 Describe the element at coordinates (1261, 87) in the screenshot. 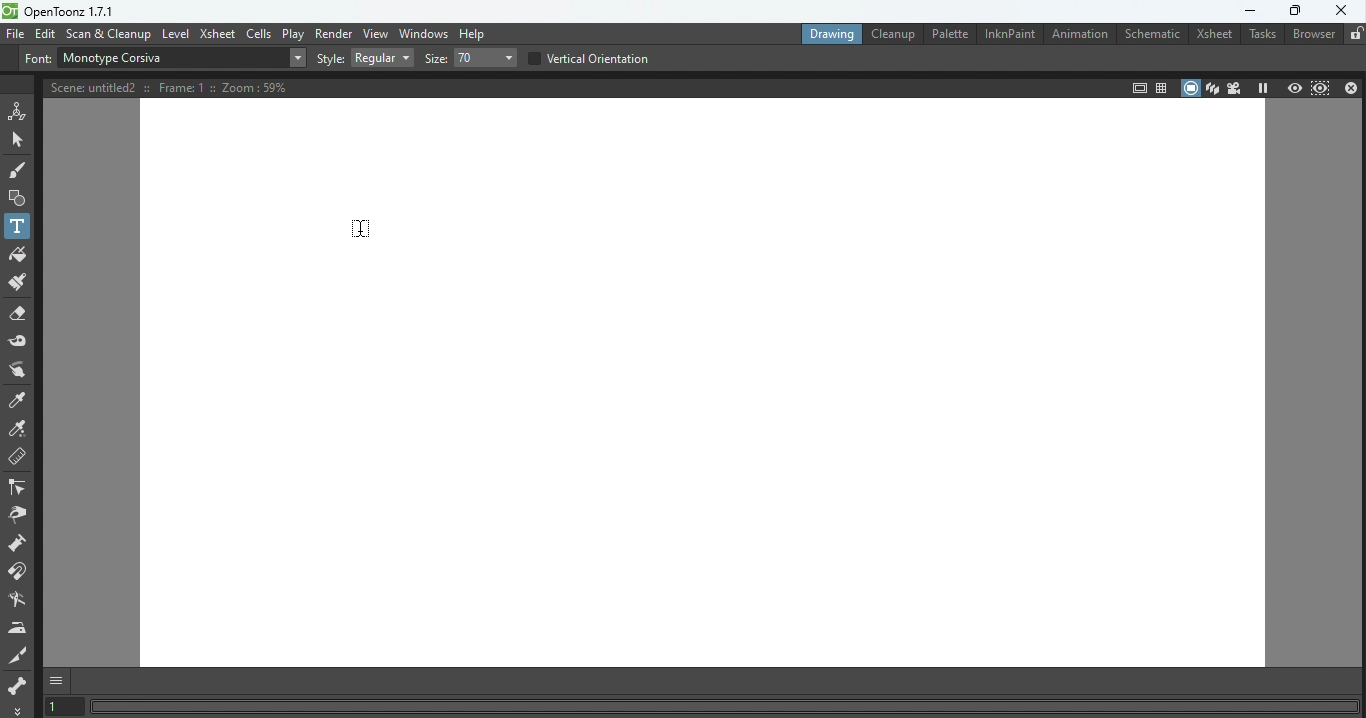

I see `Freeze` at that location.